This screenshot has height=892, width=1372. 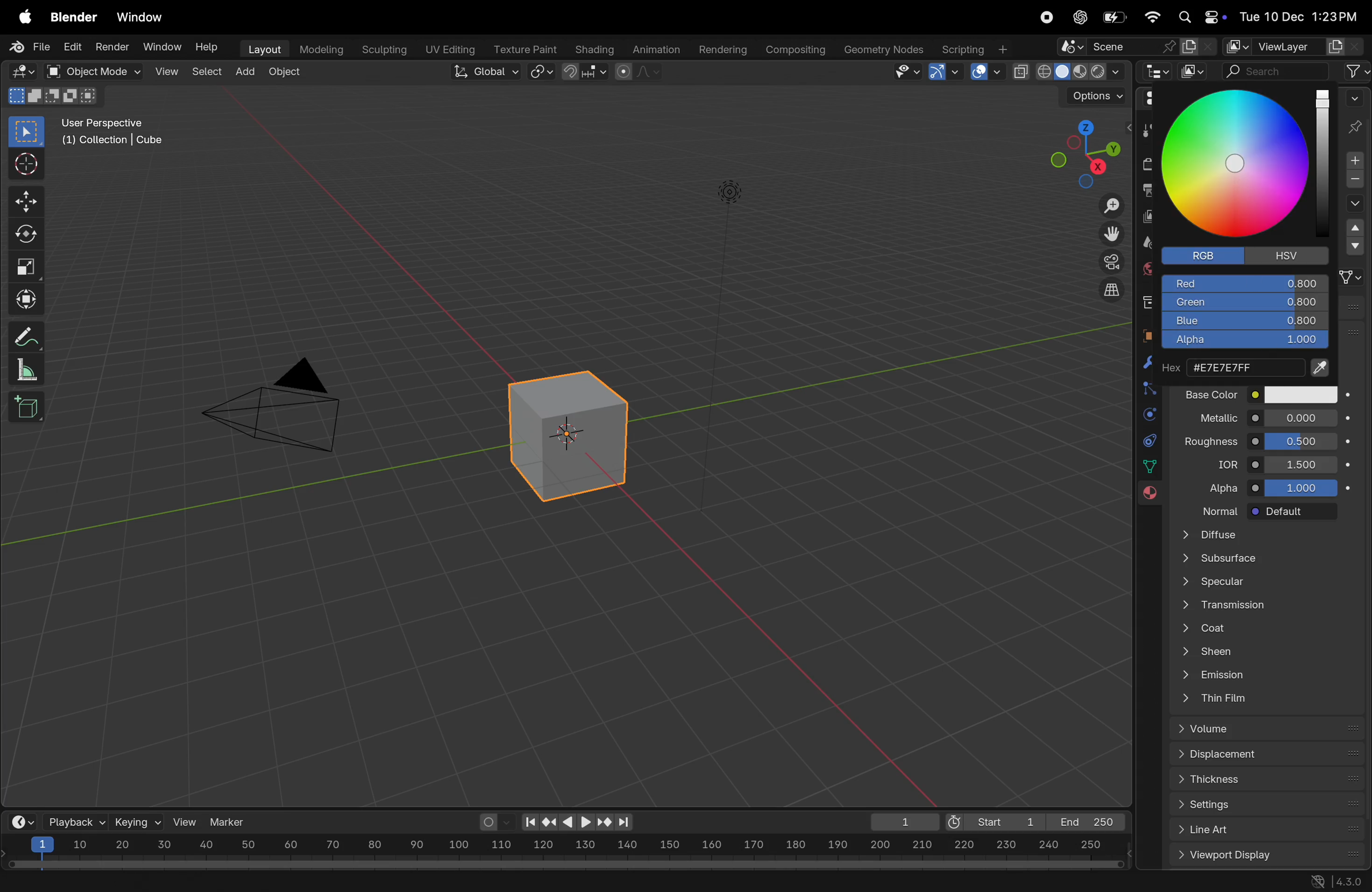 What do you see at coordinates (1264, 700) in the screenshot?
I see `thin film` at bounding box center [1264, 700].